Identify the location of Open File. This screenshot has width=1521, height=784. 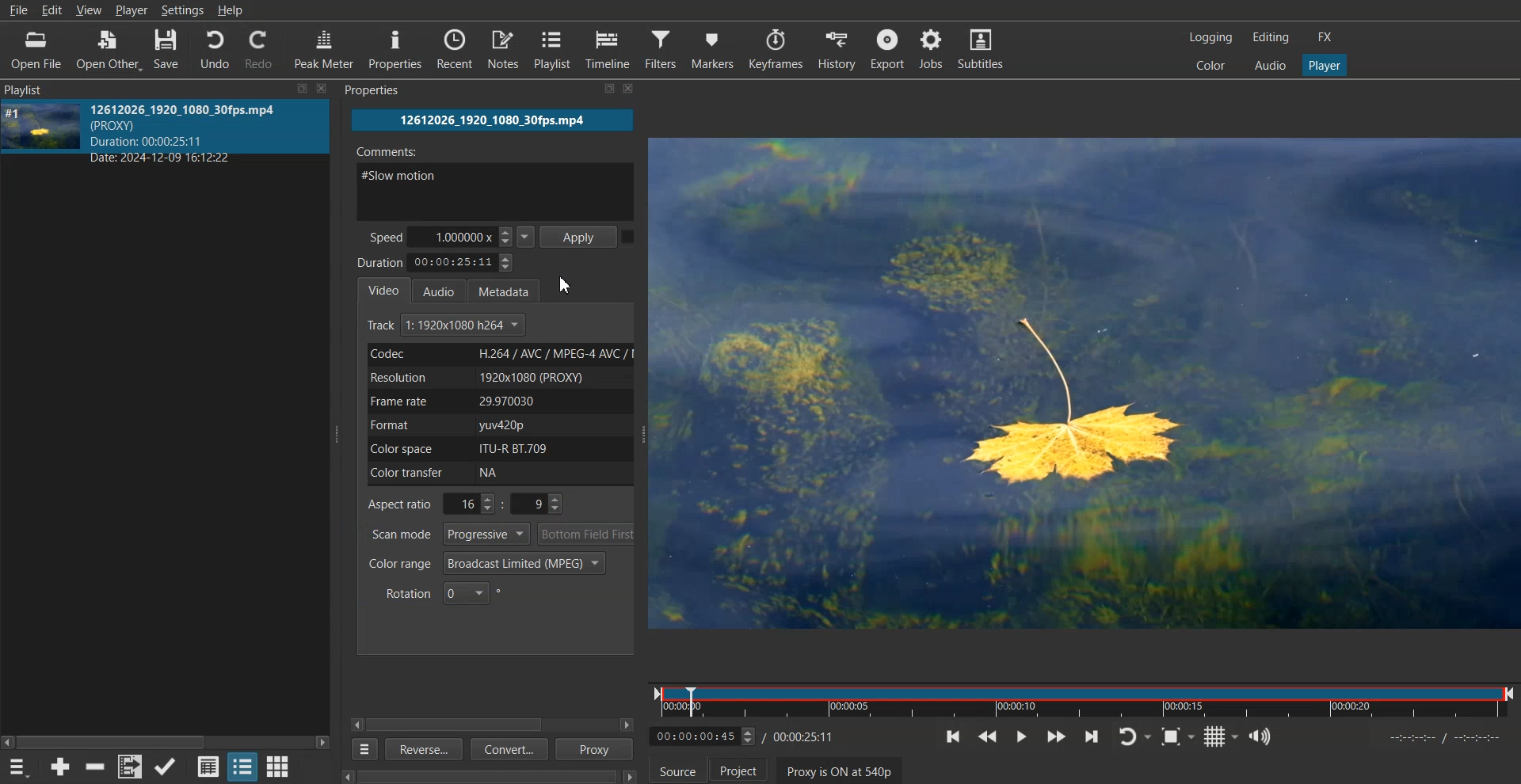
(36, 49).